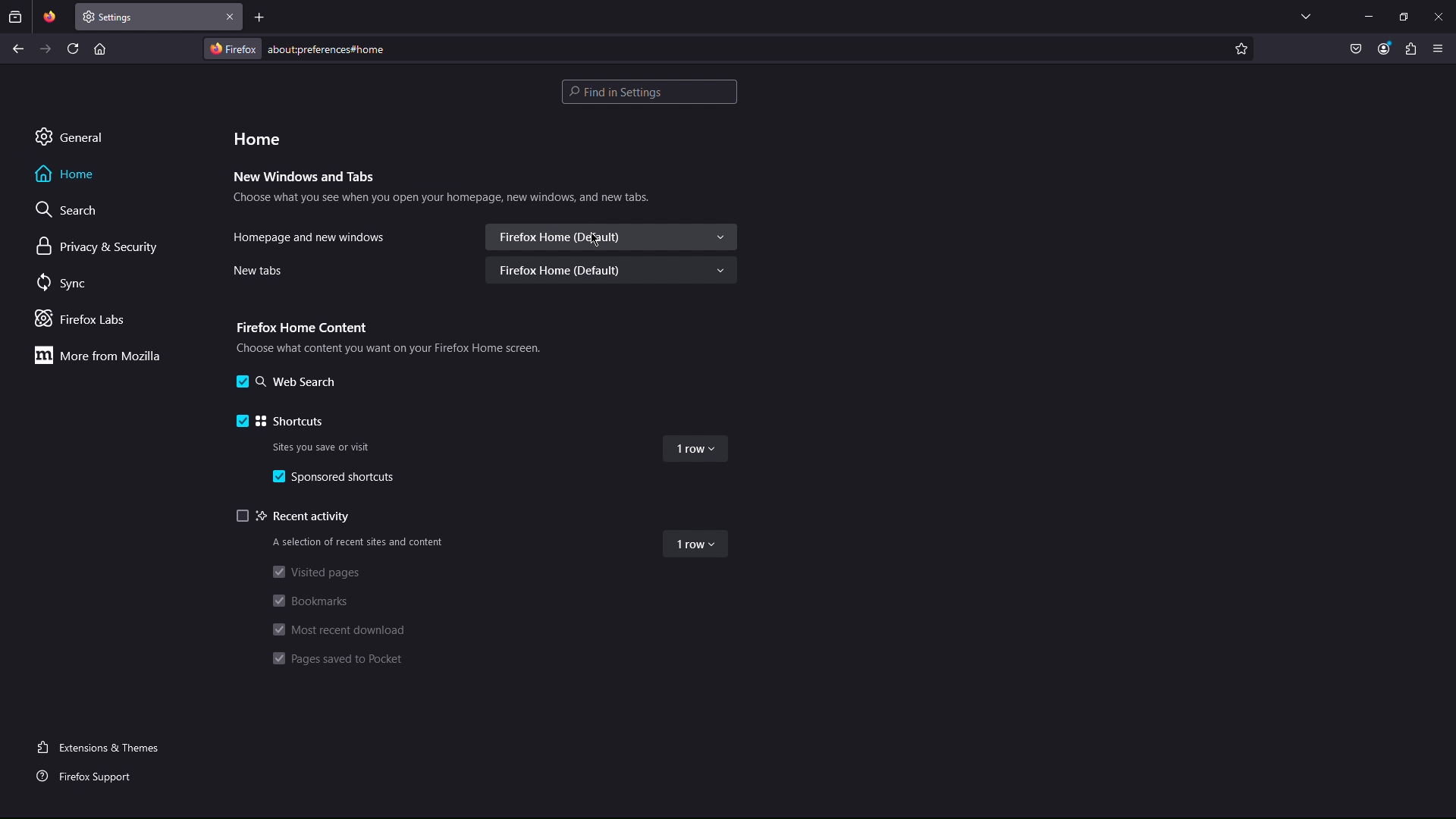 The image size is (1456, 819). Describe the element at coordinates (69, 209) in the screenshot. I see `Search` at that location.